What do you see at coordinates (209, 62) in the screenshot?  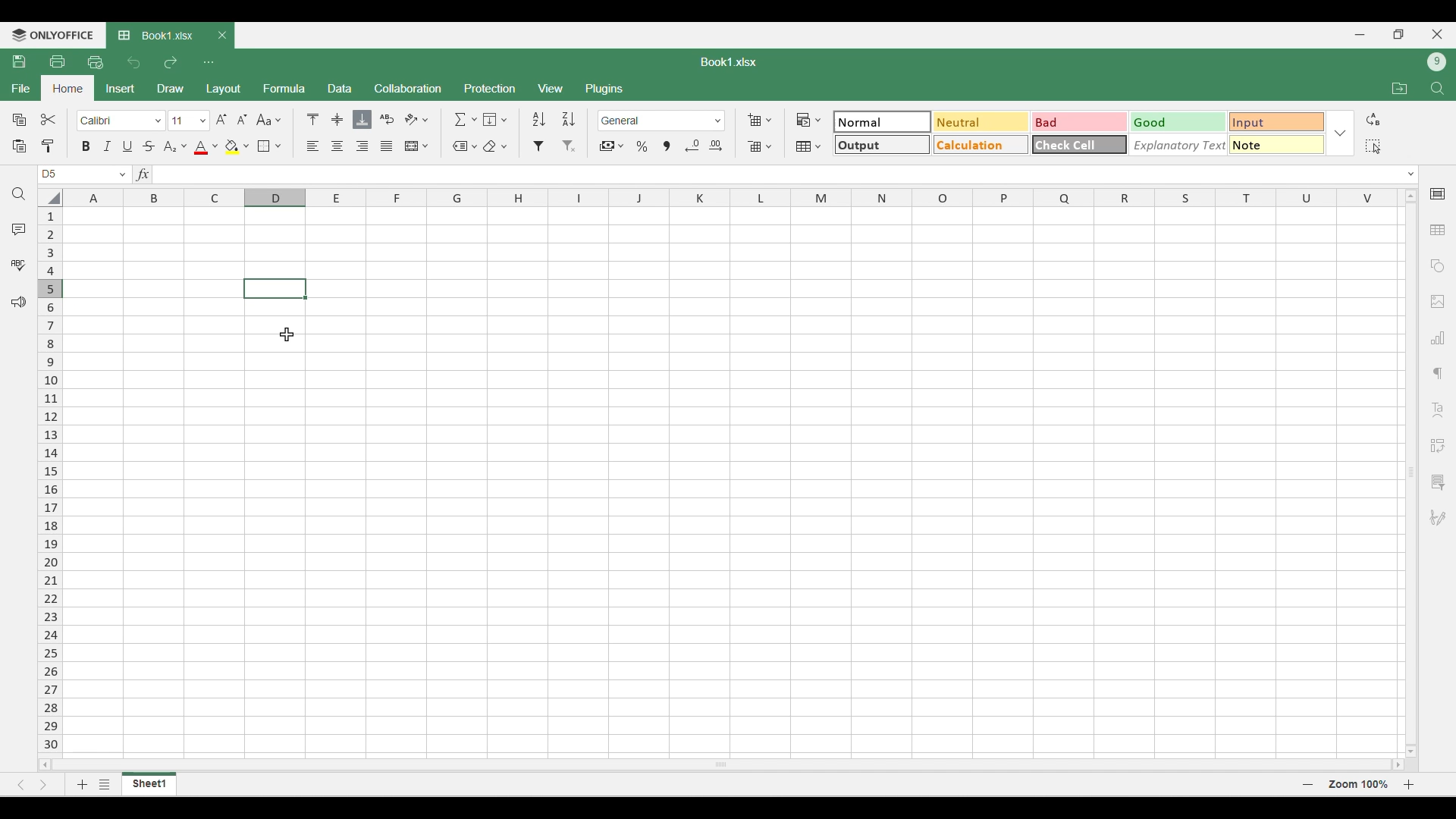 I see `Customize quick access toolbar` at bounding box center [209, 62].